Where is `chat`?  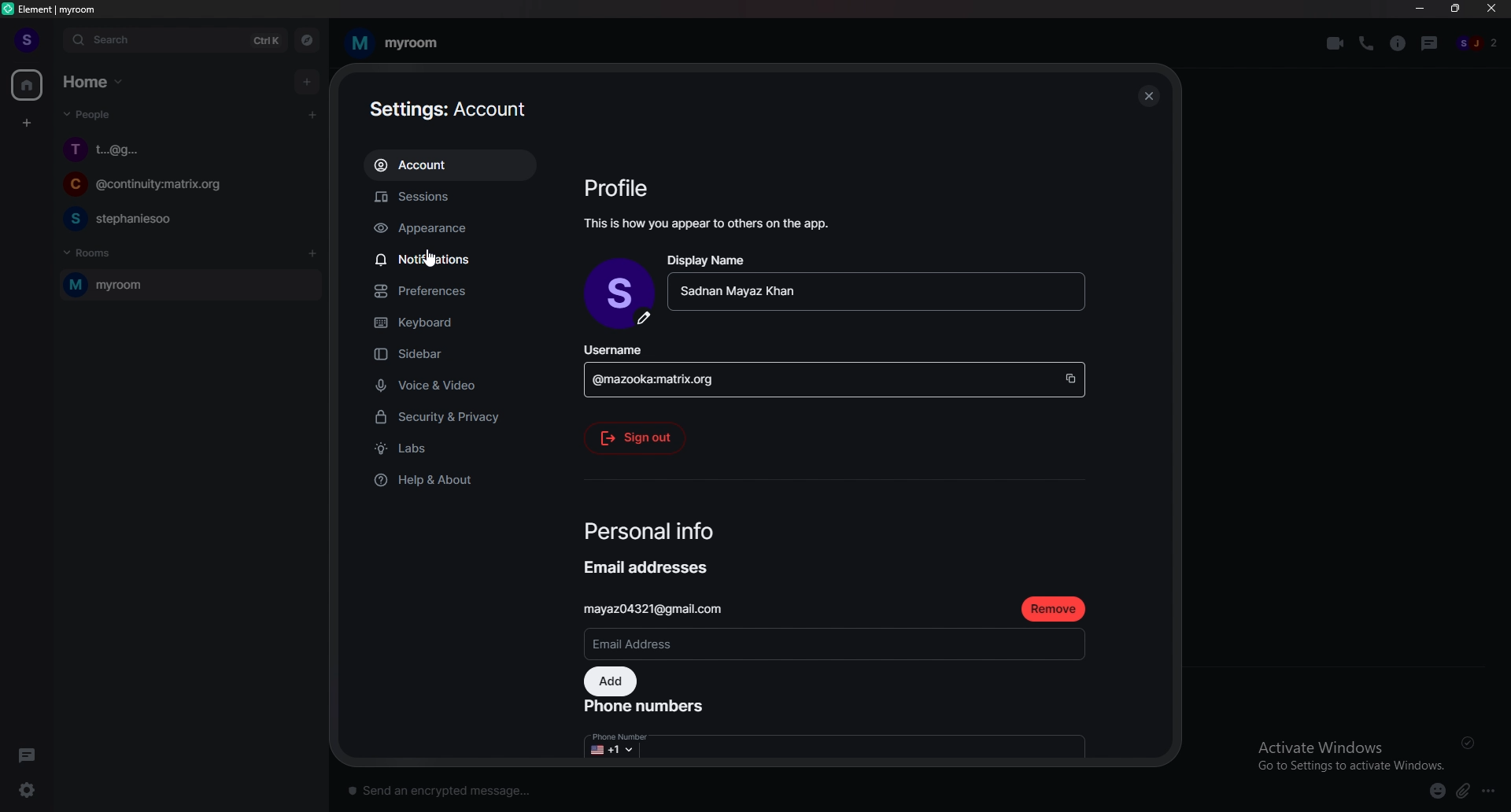 chat is located at coordinates (182, 150).